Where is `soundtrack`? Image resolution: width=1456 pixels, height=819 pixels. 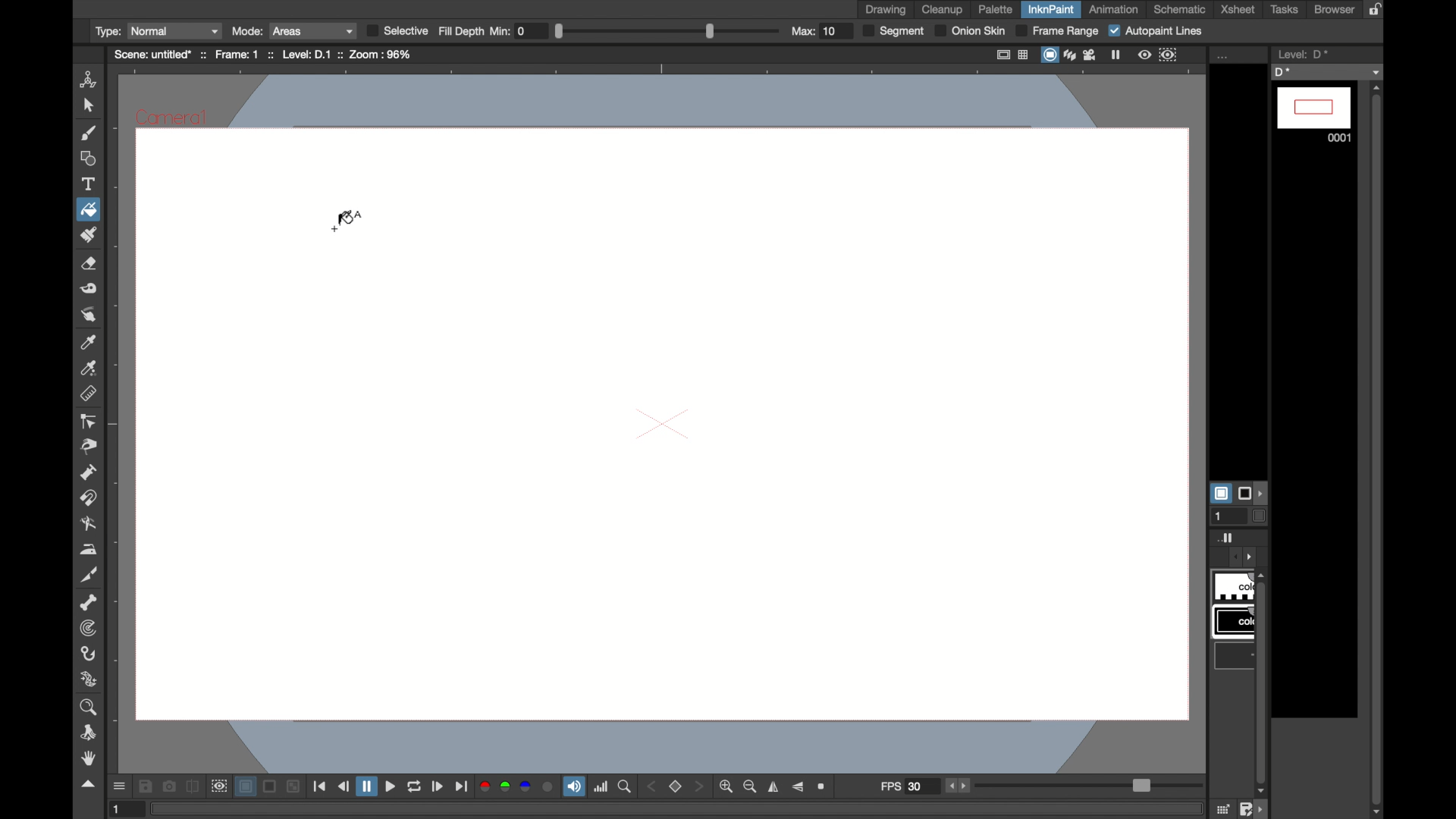 soundtrack is located at coordinates (573, 786).